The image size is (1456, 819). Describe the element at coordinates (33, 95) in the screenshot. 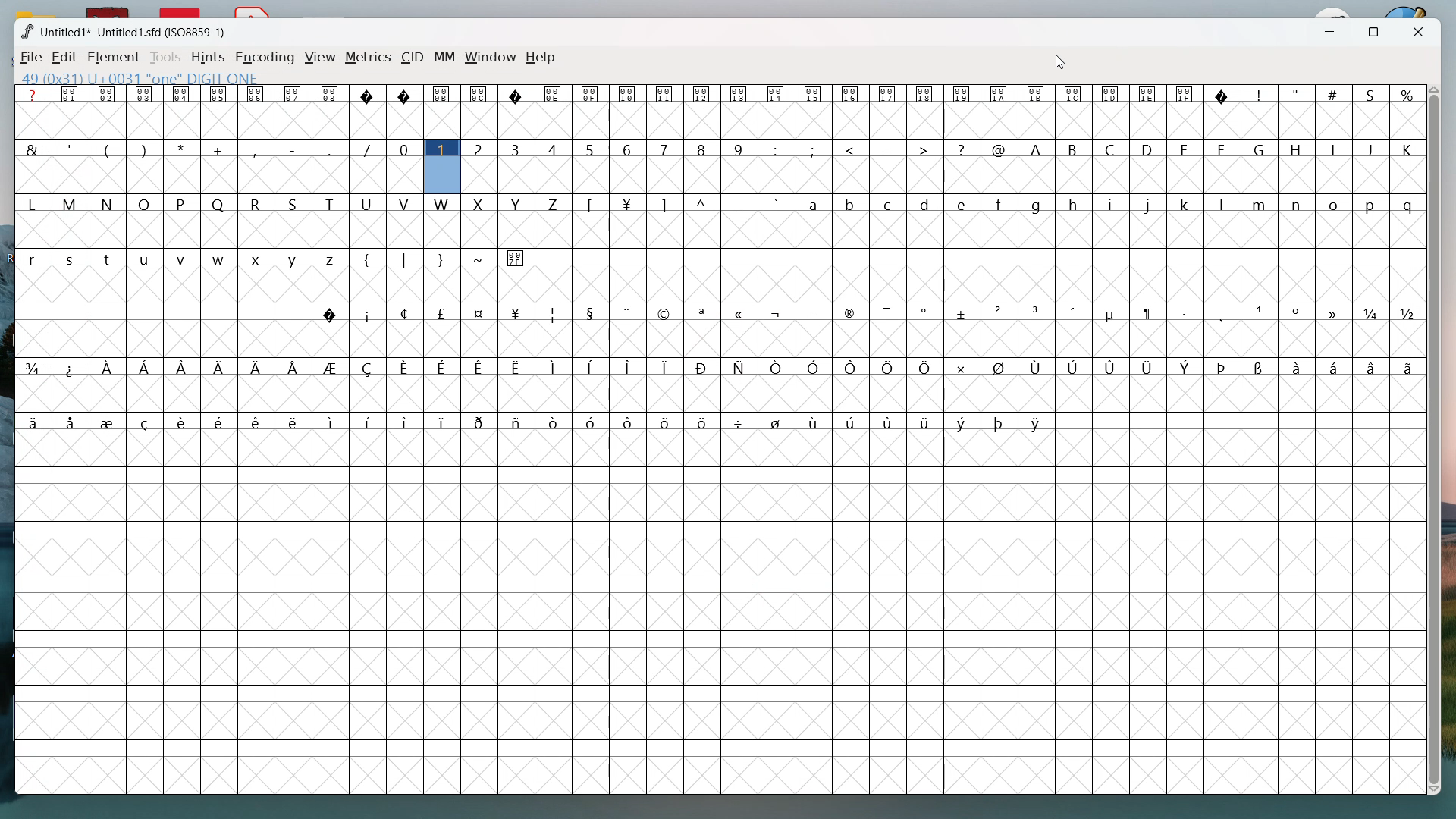

I see `?` at that location.